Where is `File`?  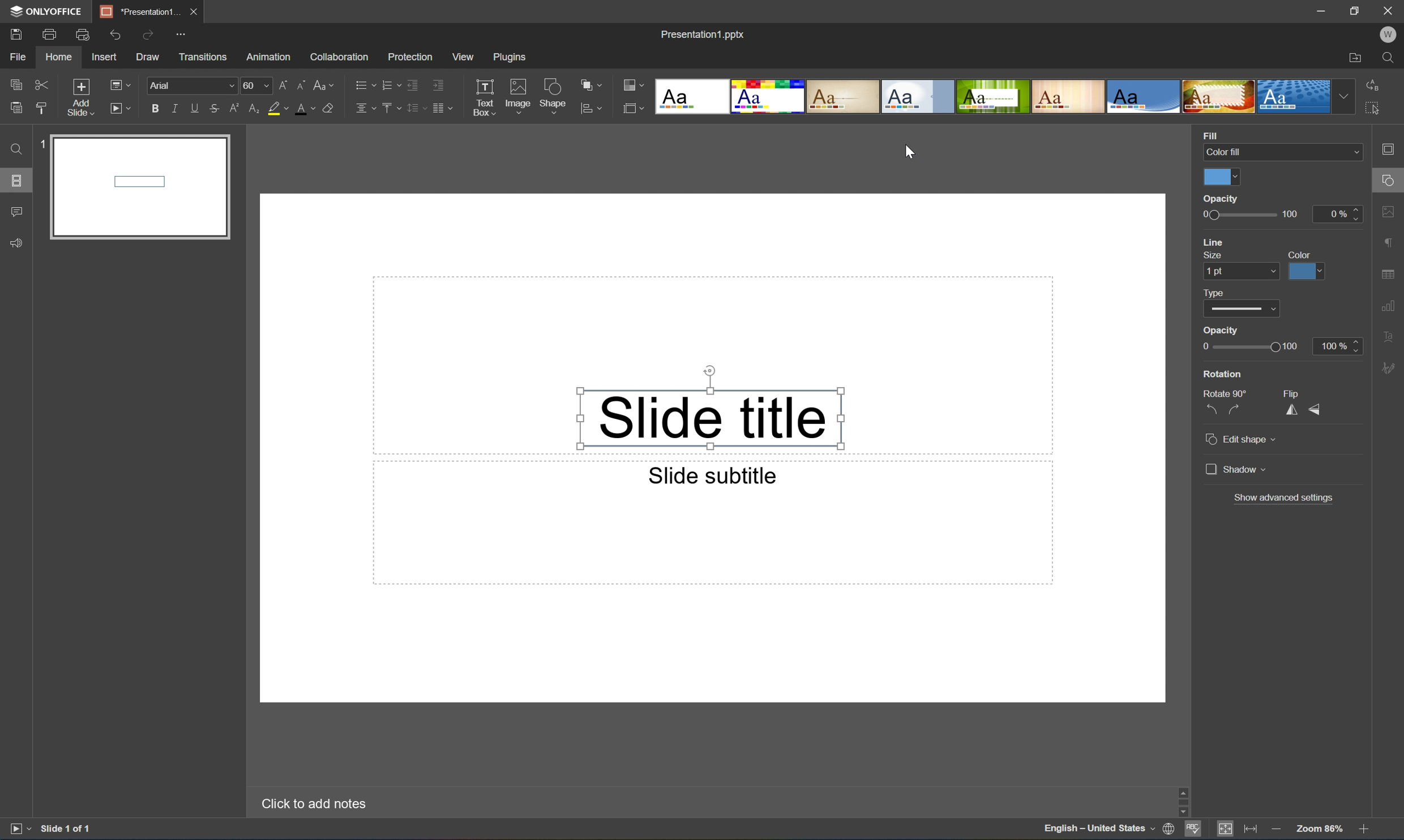
File is located at coordinates (21, 58).